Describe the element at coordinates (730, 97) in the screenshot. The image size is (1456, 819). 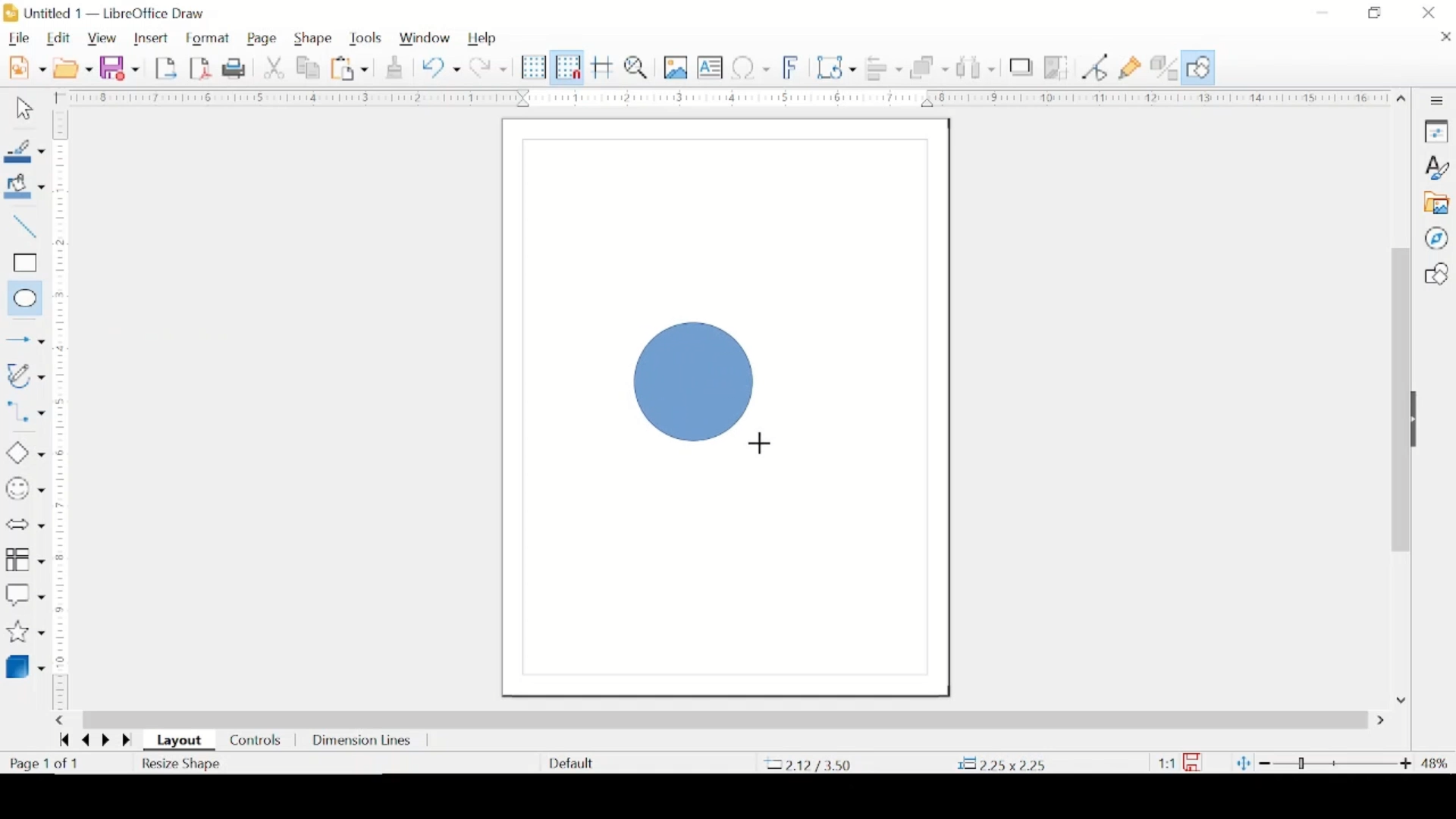
I see `margin` at that location.